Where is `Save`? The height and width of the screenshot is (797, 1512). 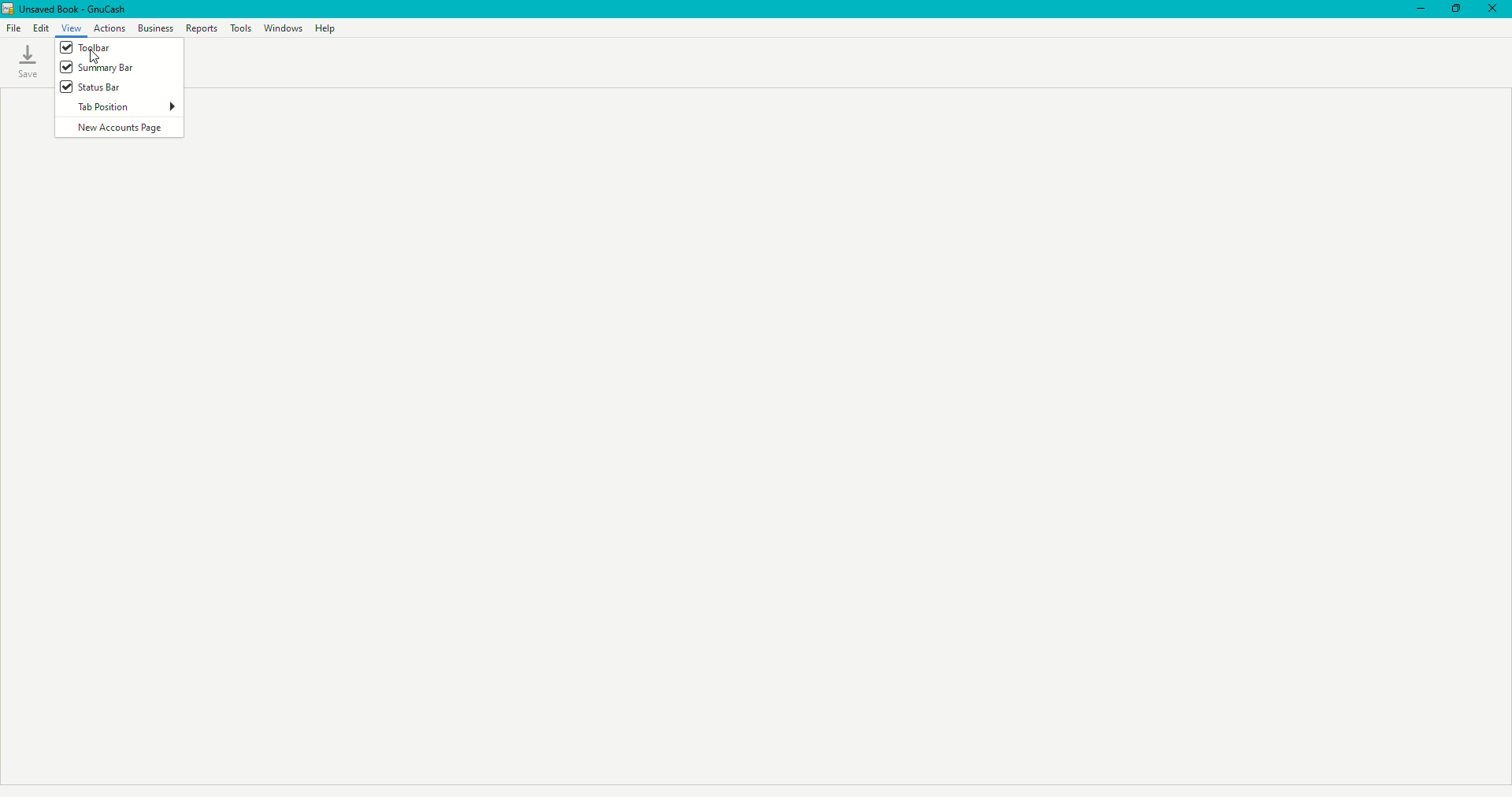
Save is located at coordinates (28, 61).